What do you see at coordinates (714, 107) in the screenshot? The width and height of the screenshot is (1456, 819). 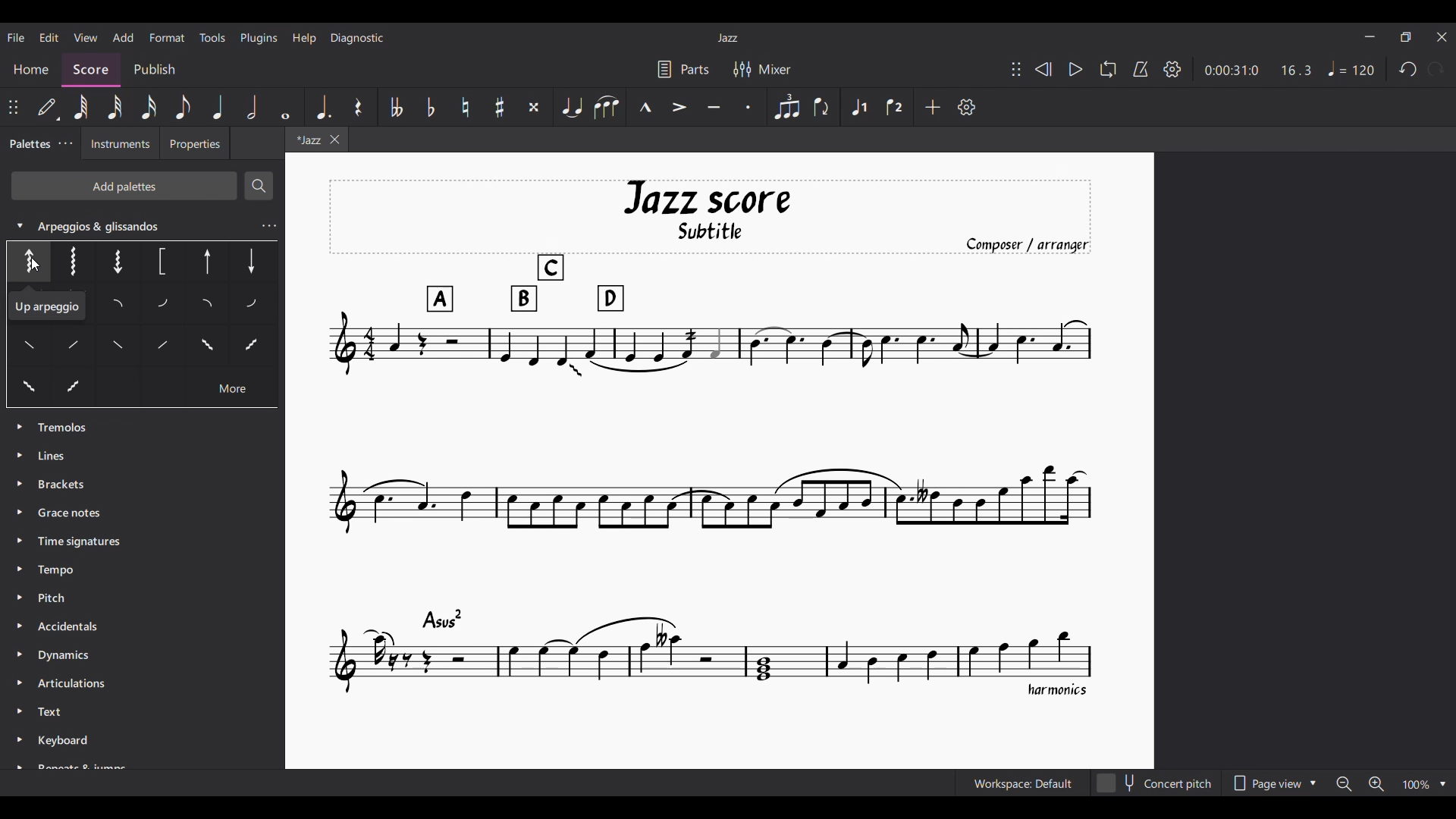 I see `Tenuto` at bounding box center [714, 107].